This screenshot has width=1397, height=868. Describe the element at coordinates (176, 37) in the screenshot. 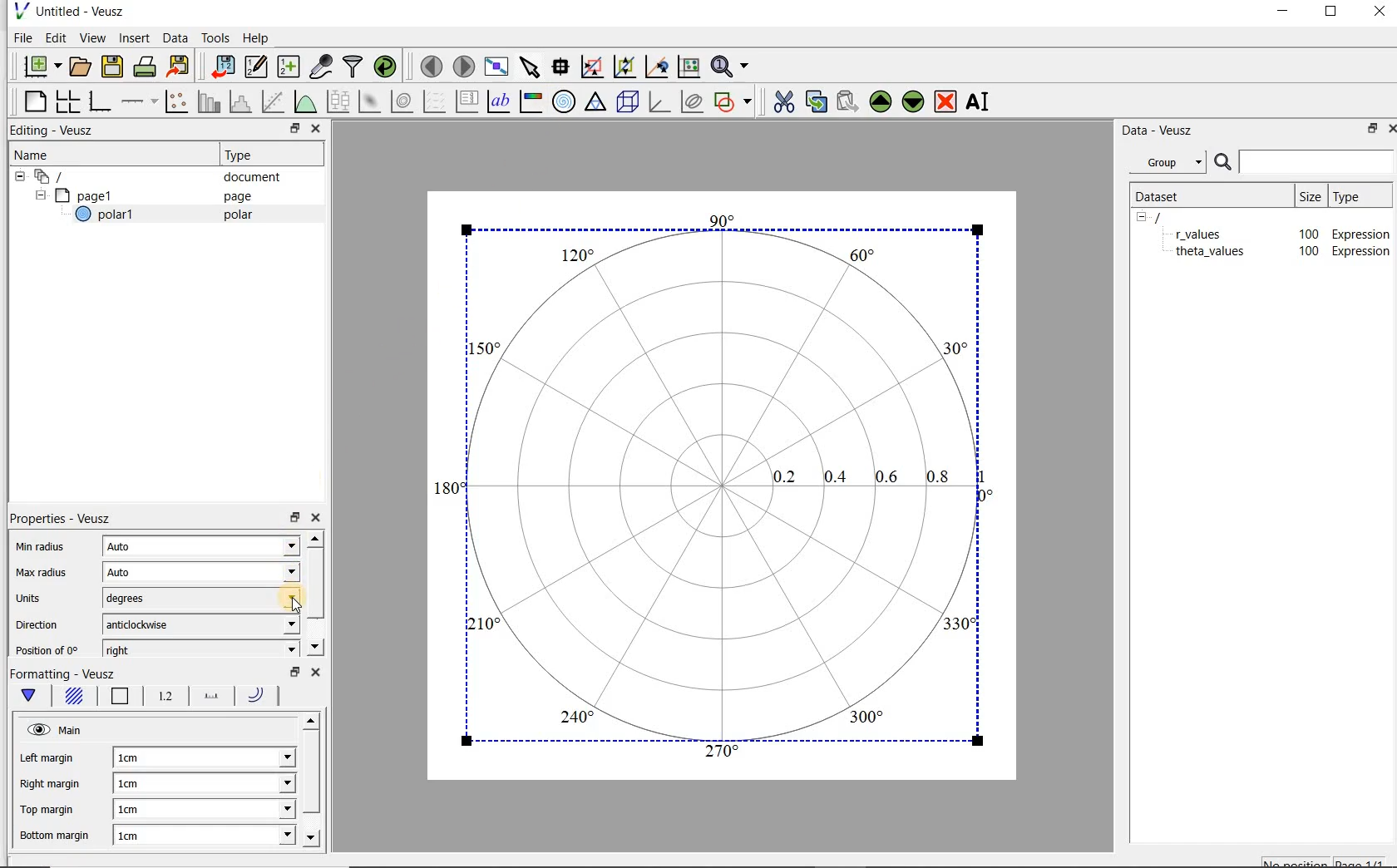

I see `Data` at that location.